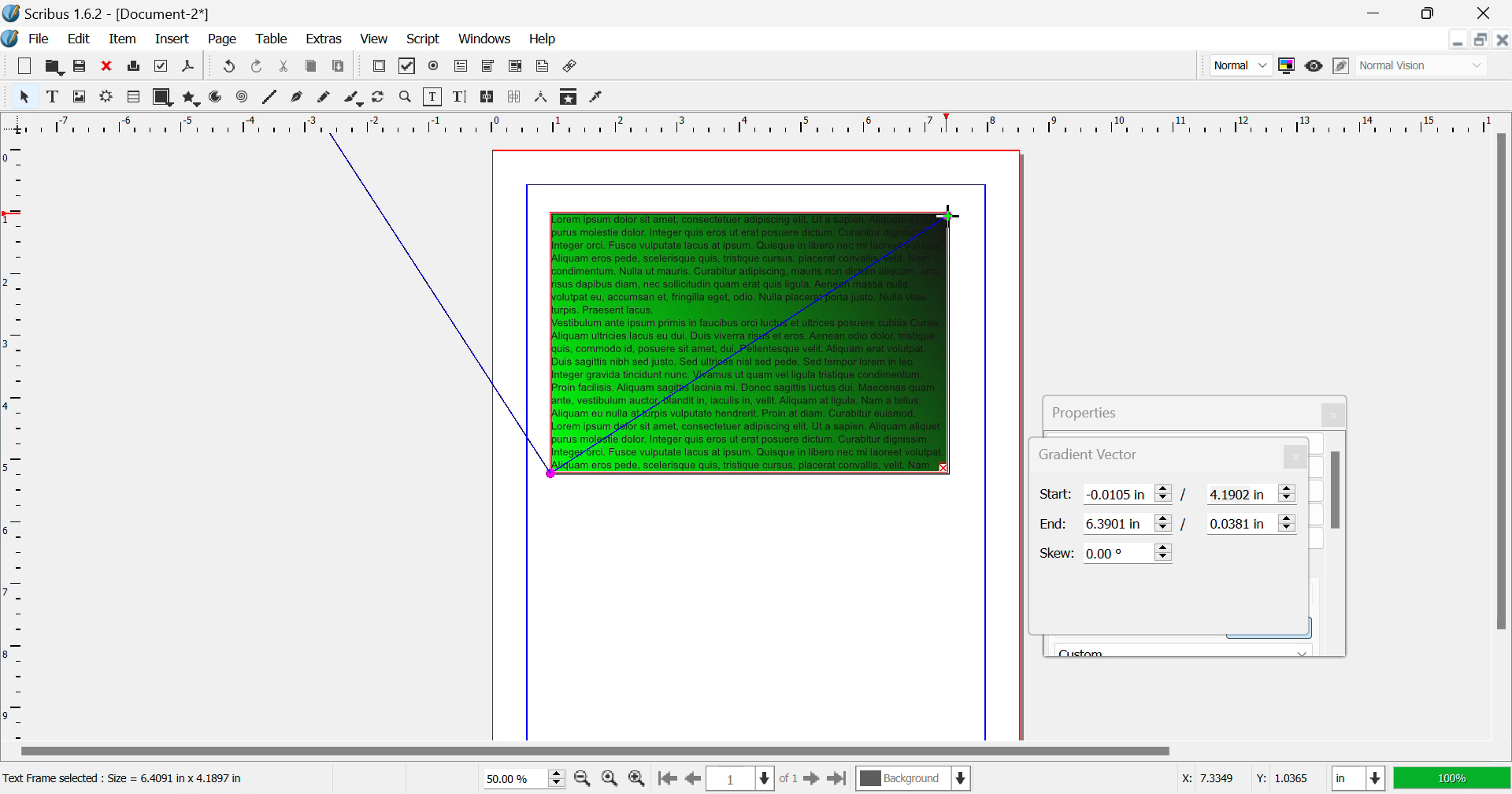 This screenshot has width=1512, height=794. What do you see at coordinates (1314, 68) in the screenshot?
I see `Preview Mode` at bounding box center [1314, 68].